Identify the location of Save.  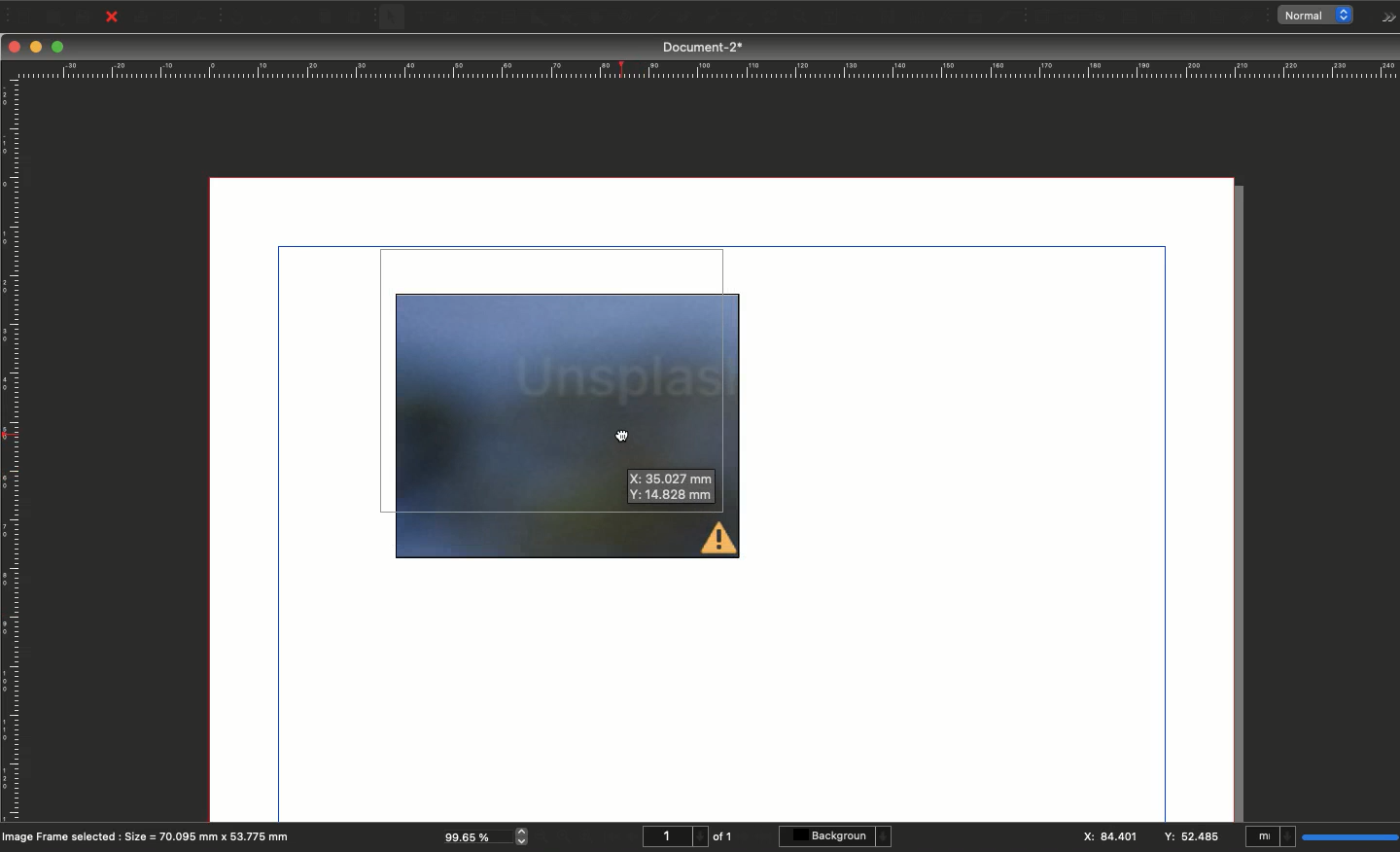
(87, 16).